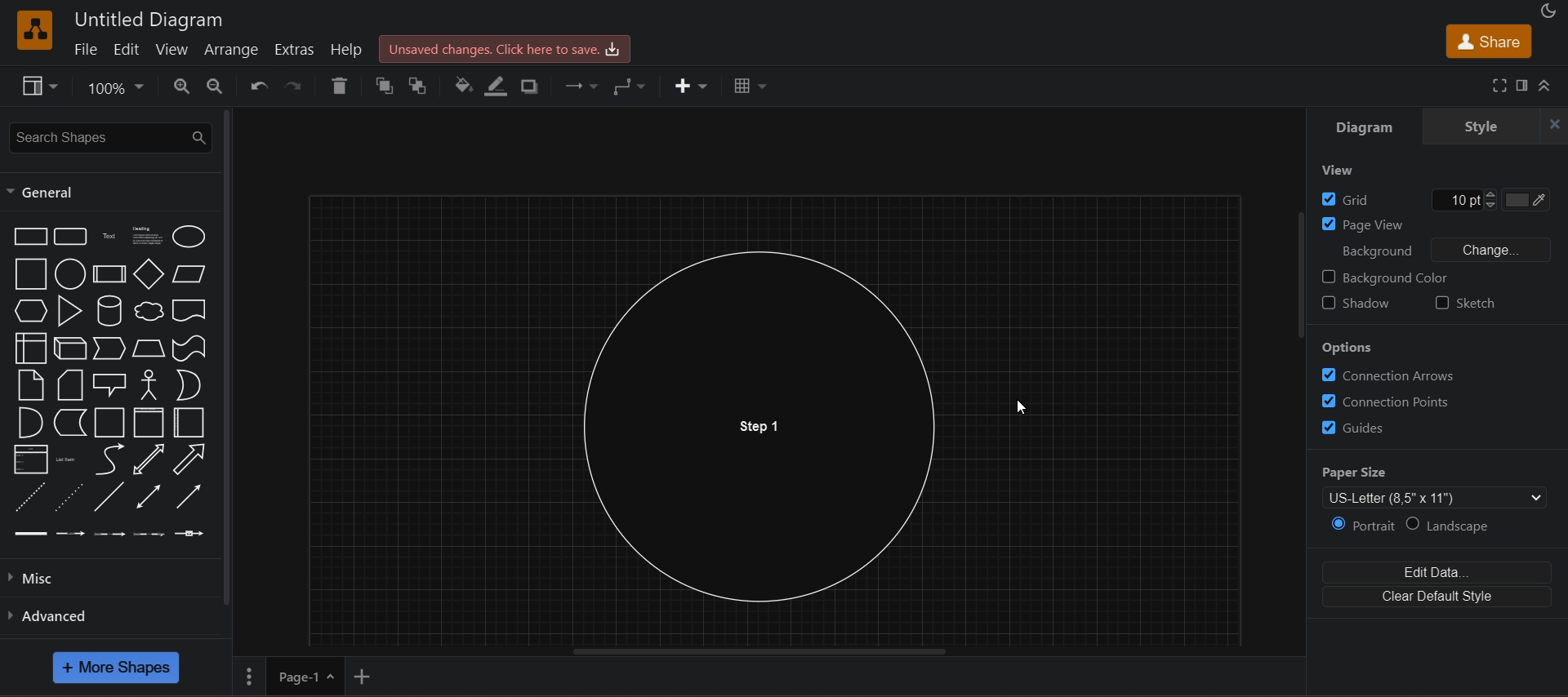  What do you see at coordinates (192, 460) in the screenshot?
I see `arrow` at bounding box center [192, 460].